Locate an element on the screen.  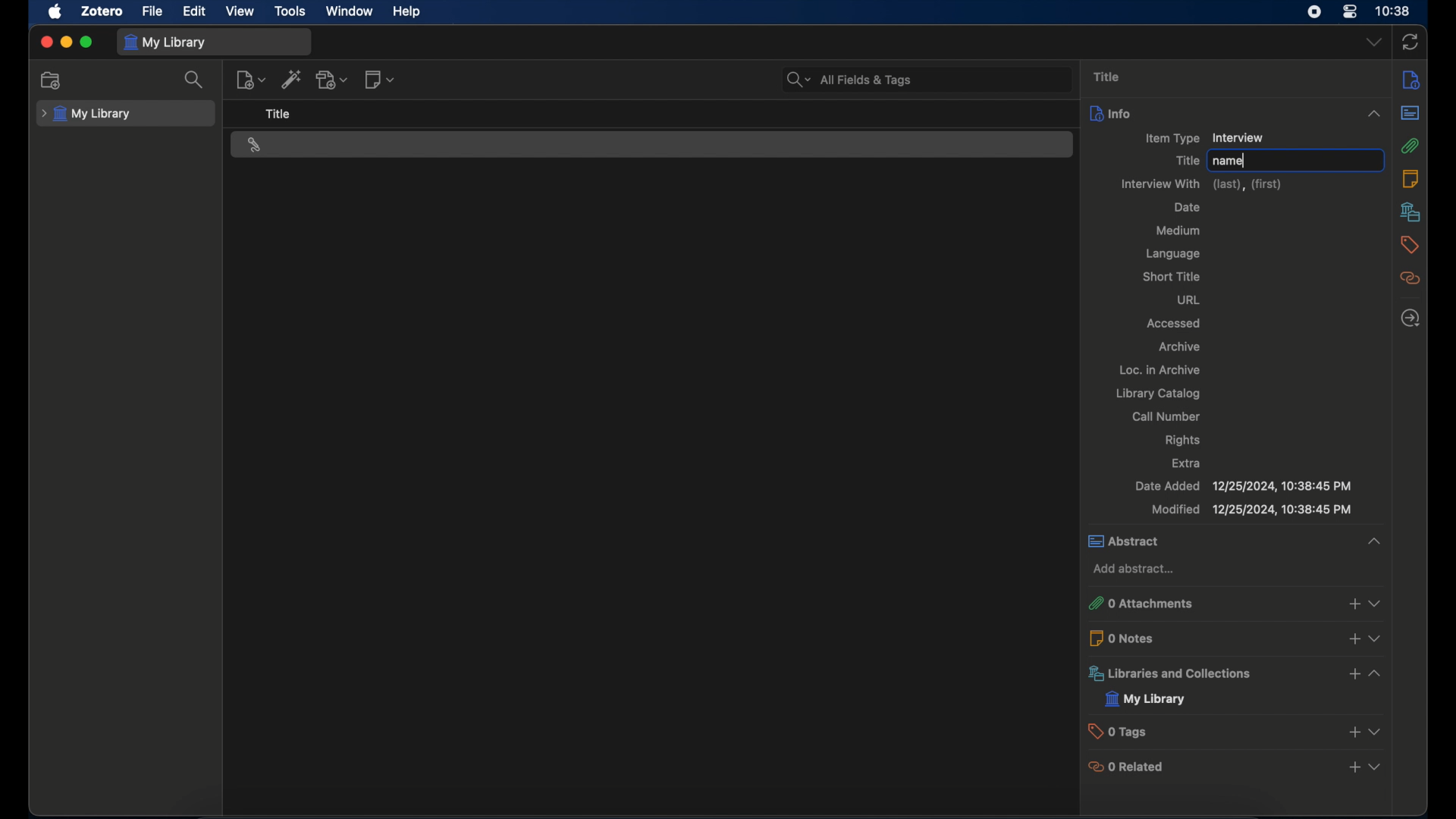
related is located at coordinates (1410, 278).